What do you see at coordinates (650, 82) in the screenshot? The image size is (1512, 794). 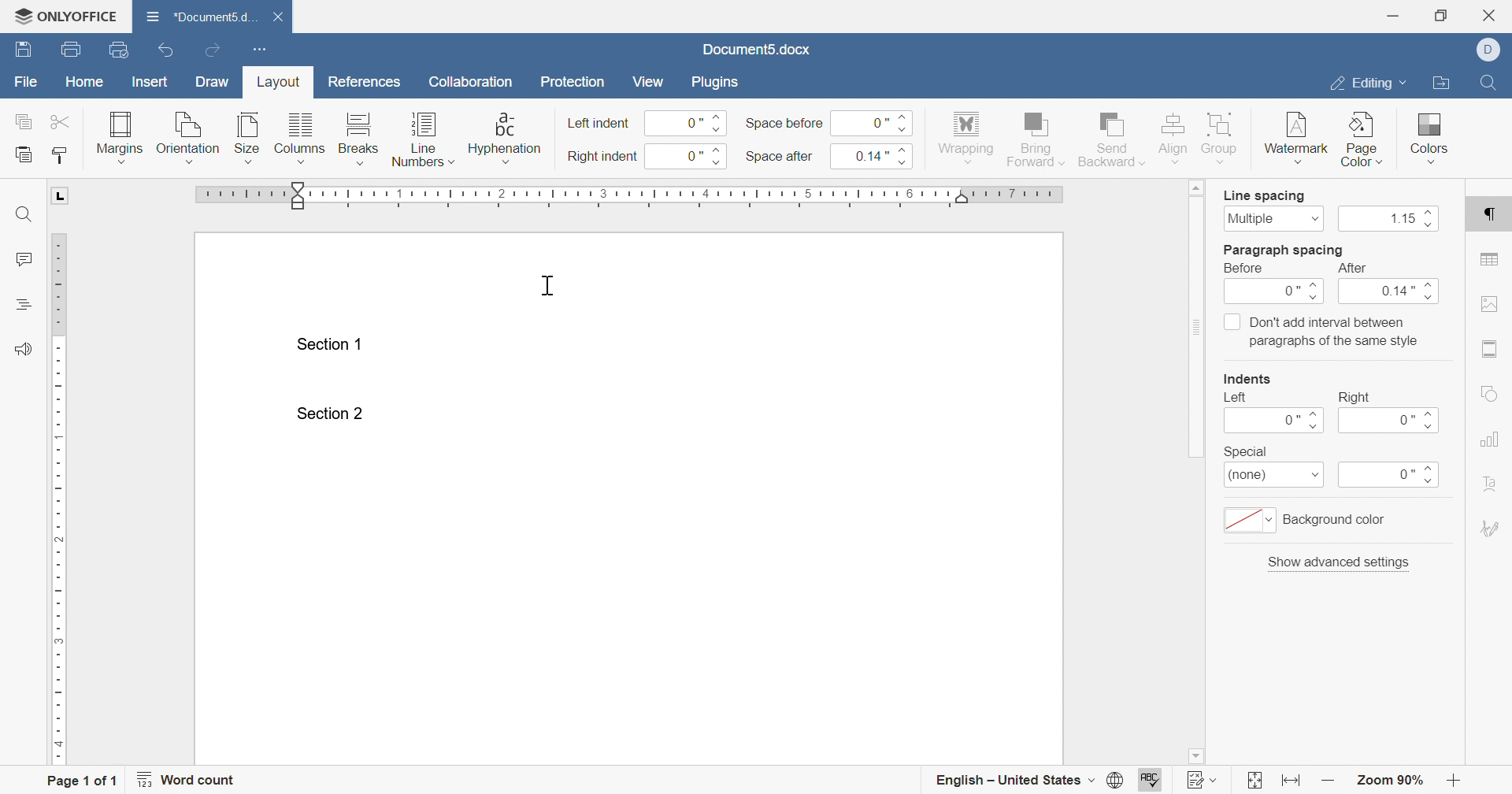 I see `view` at bounding box center [650, 82].